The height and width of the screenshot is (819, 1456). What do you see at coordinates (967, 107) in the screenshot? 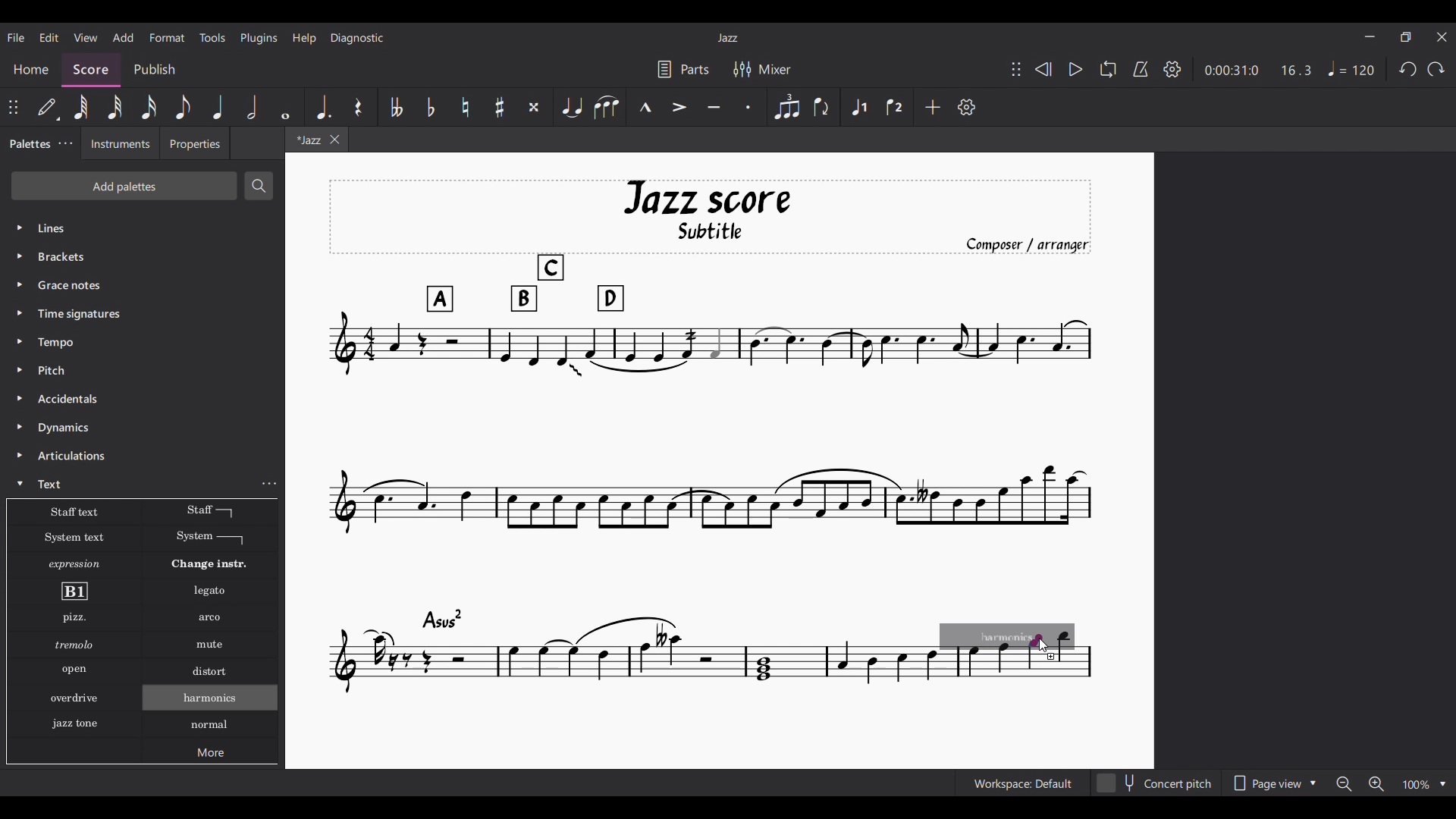
I see `Settings` at bounding box center [967, 107].